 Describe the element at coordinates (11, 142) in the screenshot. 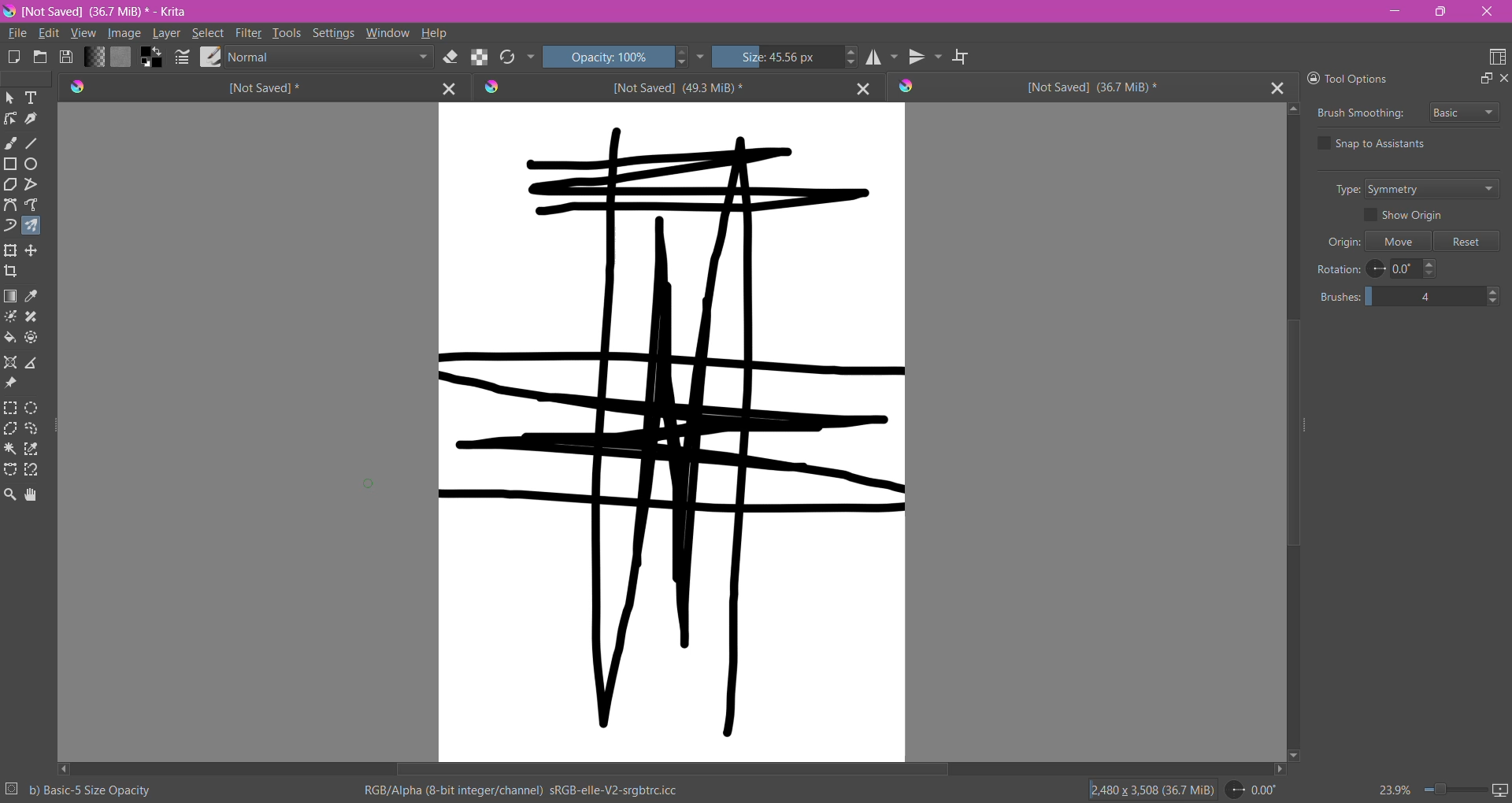

I see `Freehand Brush Tool` at that location.